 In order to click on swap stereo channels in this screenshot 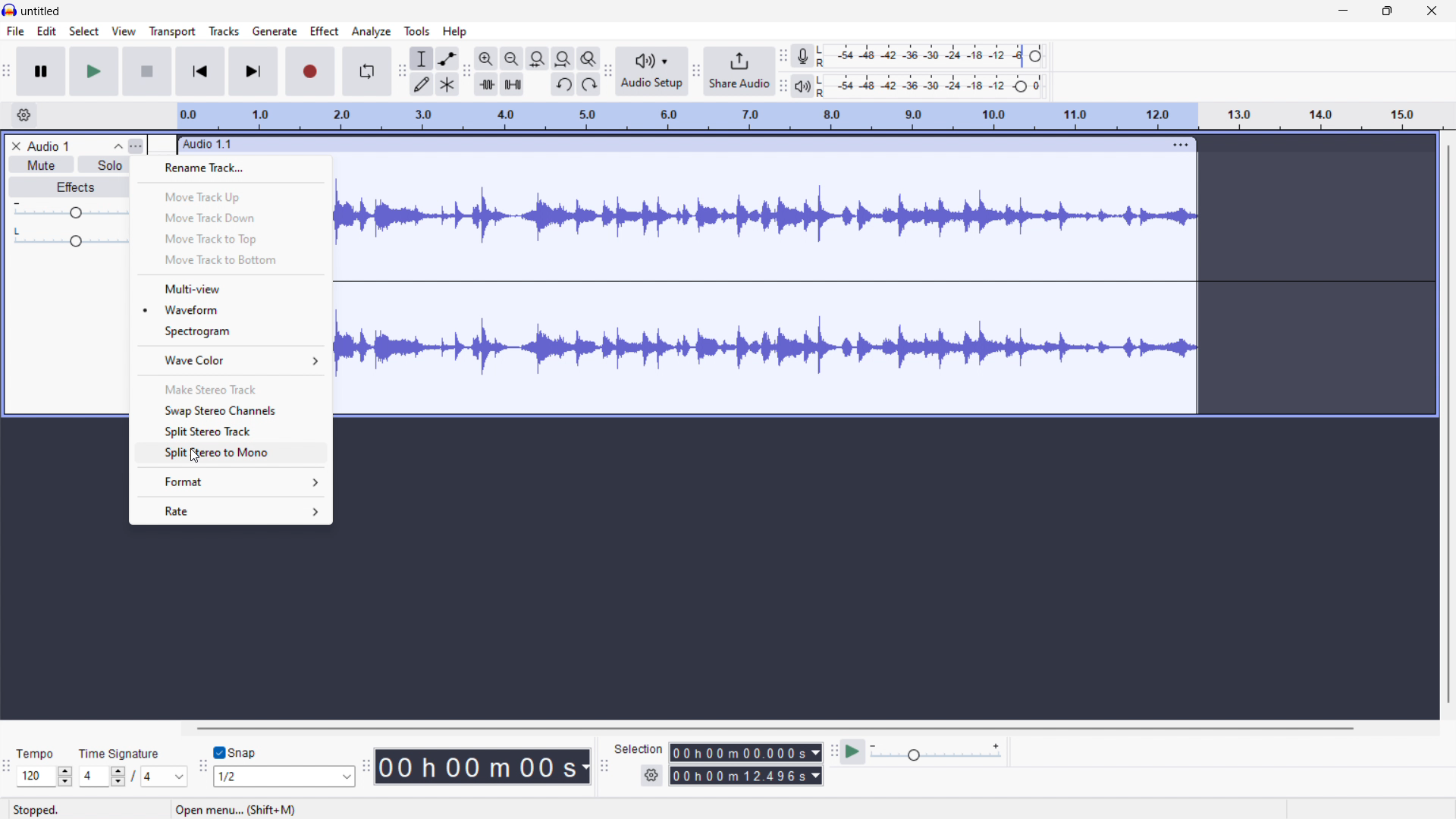, I will do `click(230, 410)`.